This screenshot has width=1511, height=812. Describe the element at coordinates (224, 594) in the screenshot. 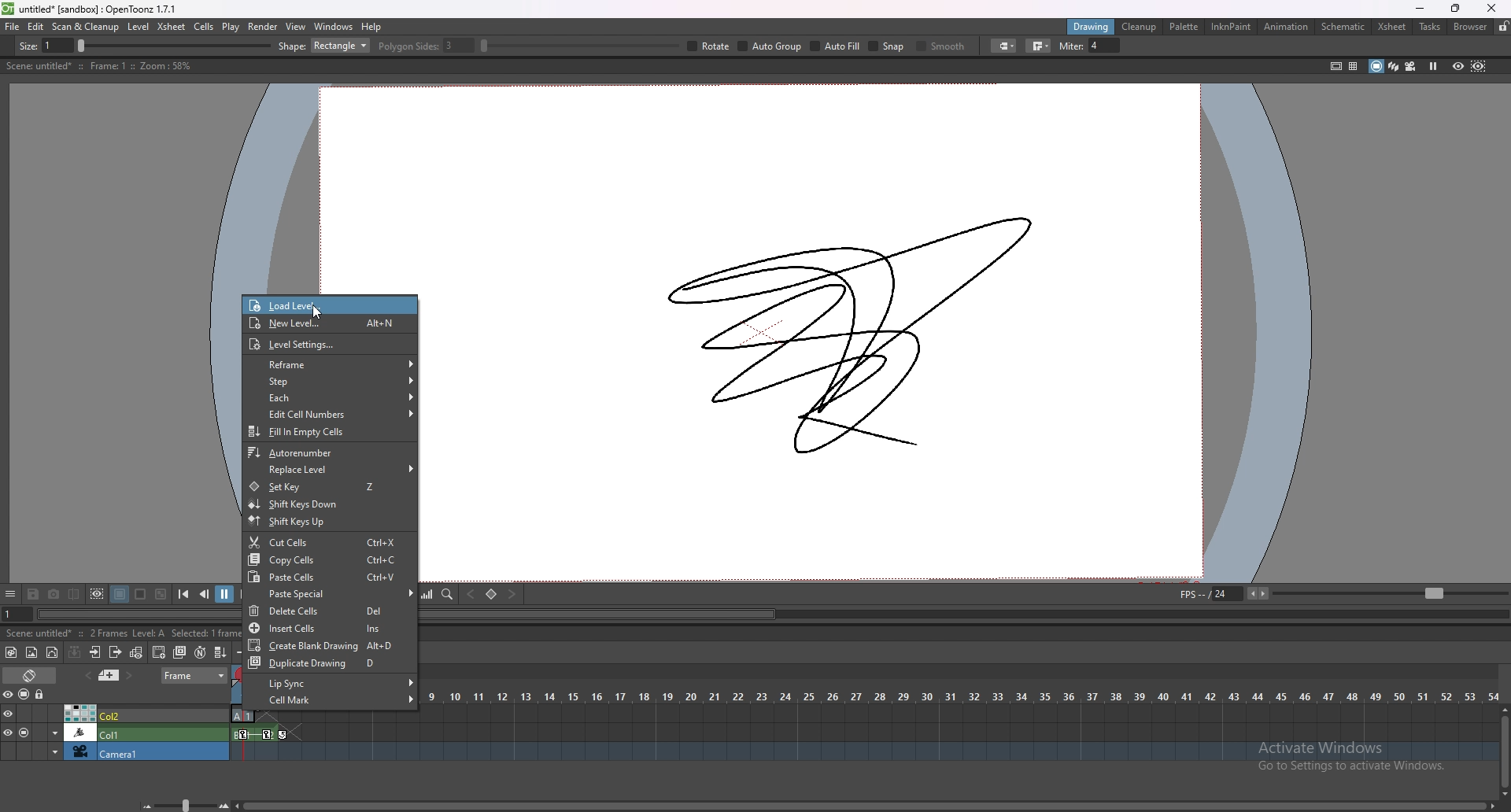

I see `pause` at that location.